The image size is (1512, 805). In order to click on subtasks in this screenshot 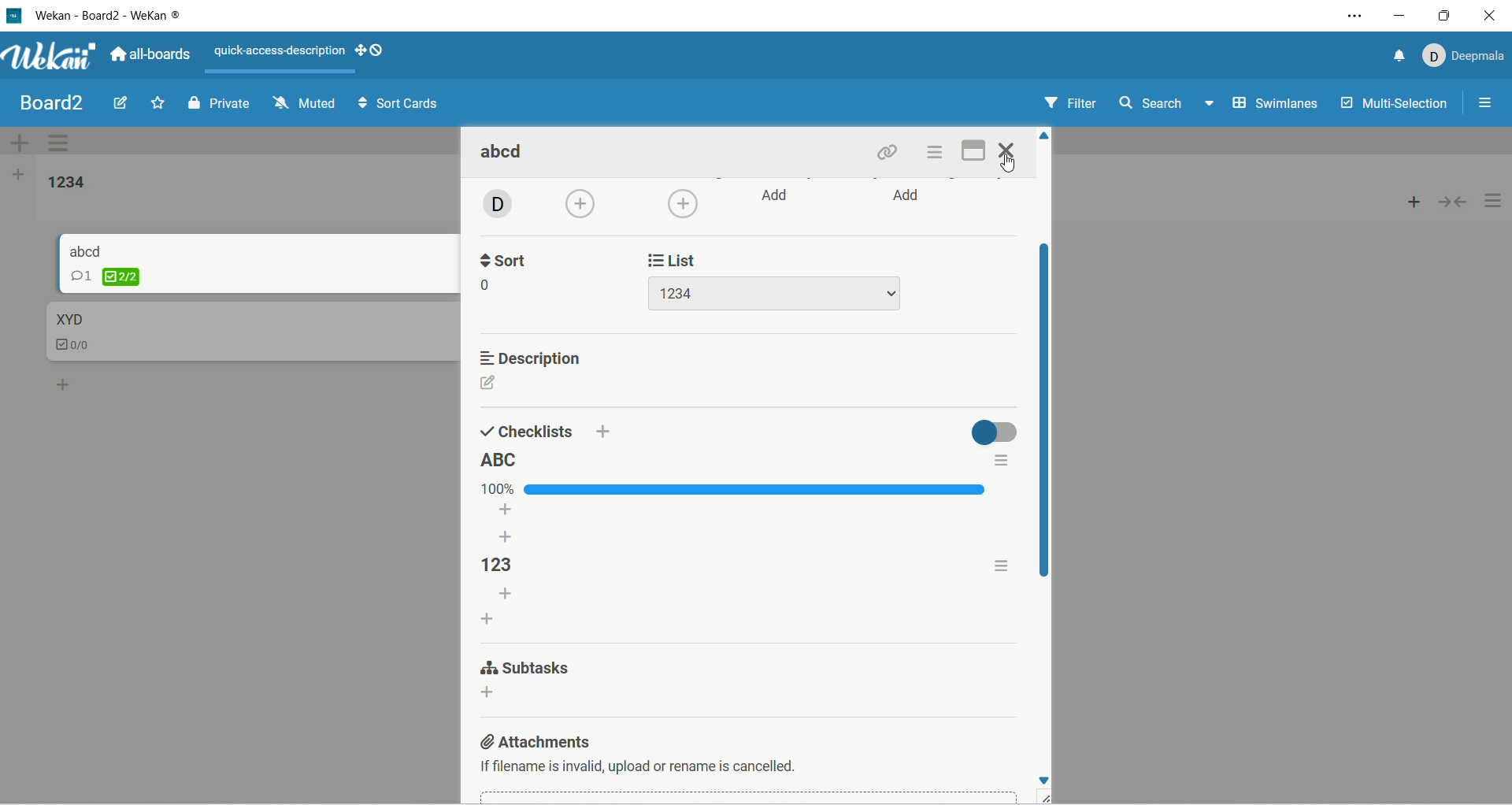, I will do `click(530, 666)`.